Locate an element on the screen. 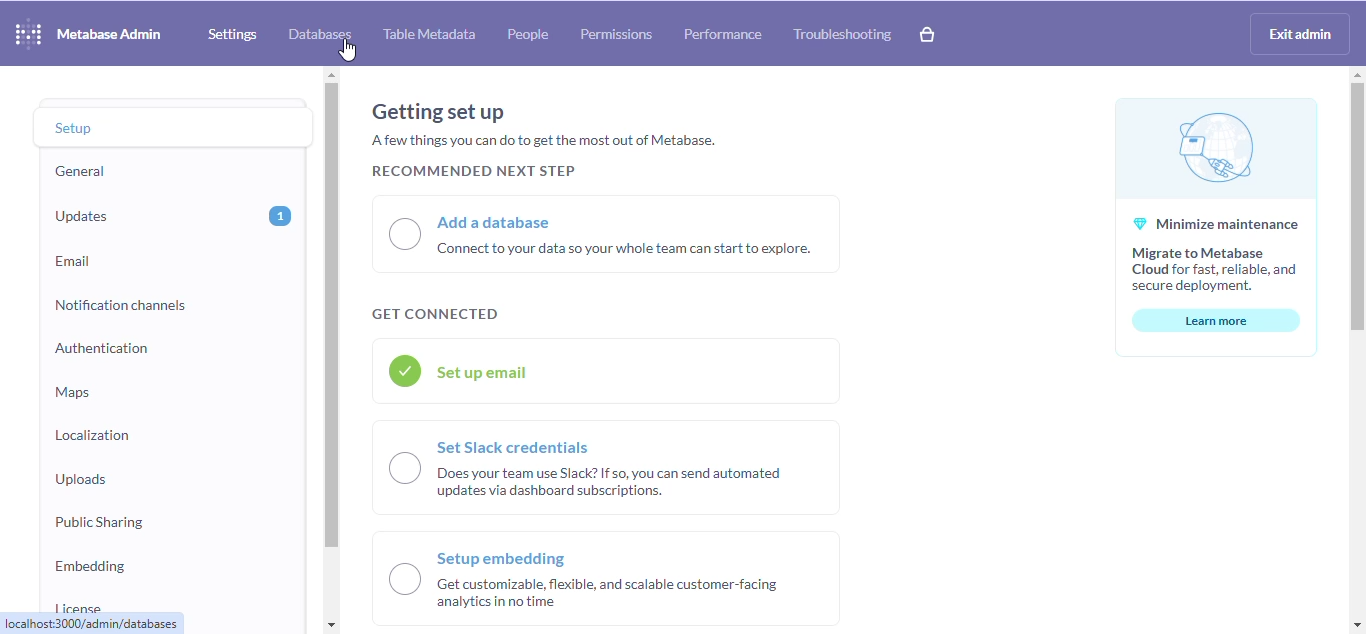  notification channels is located at coordinates (121, 306).